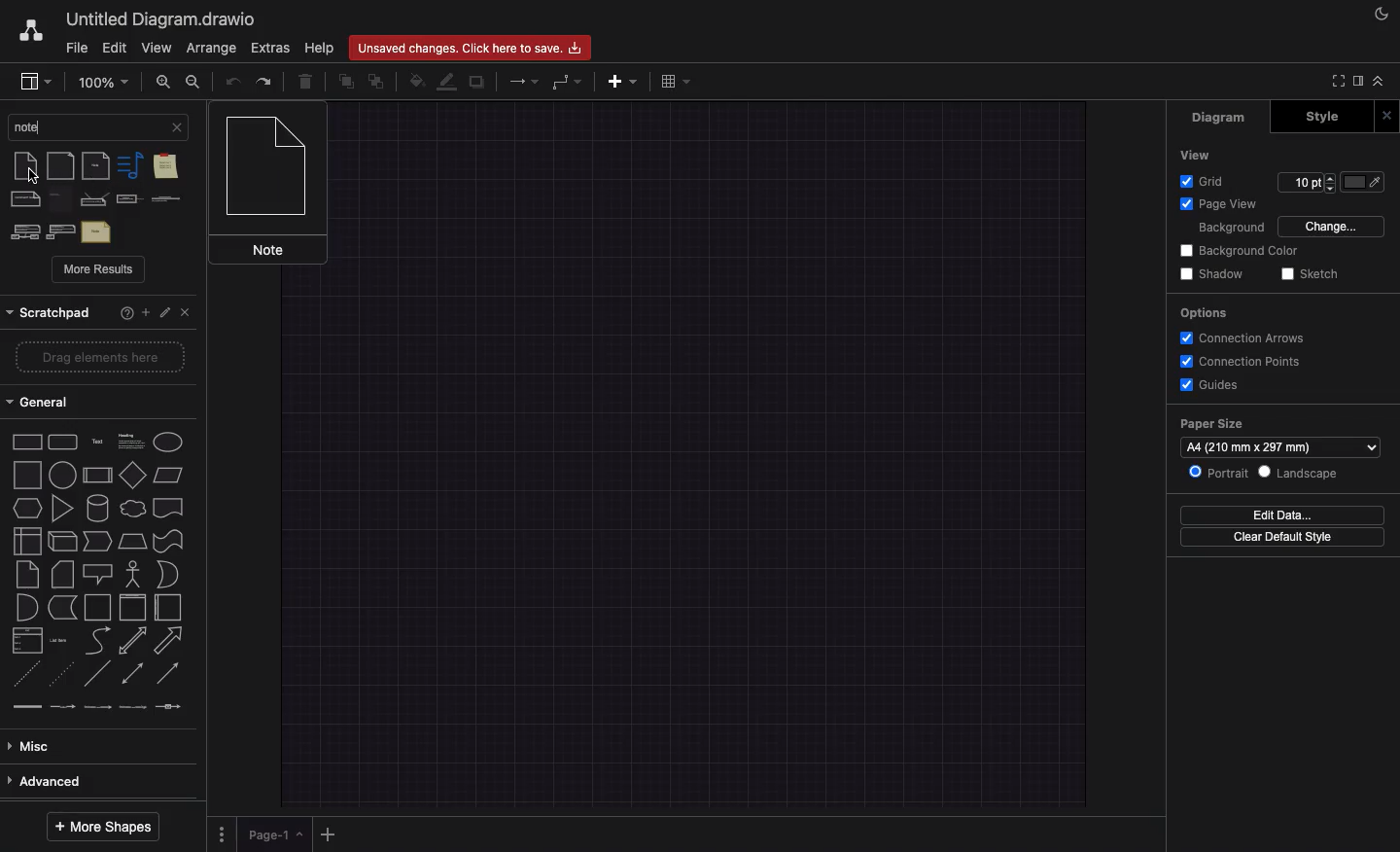 This screenshot has width=1400, height=852. What do you see at coordinates (1382, 82) in the screenshot?
I see `Collapse` at bounding box center [1382, 82].